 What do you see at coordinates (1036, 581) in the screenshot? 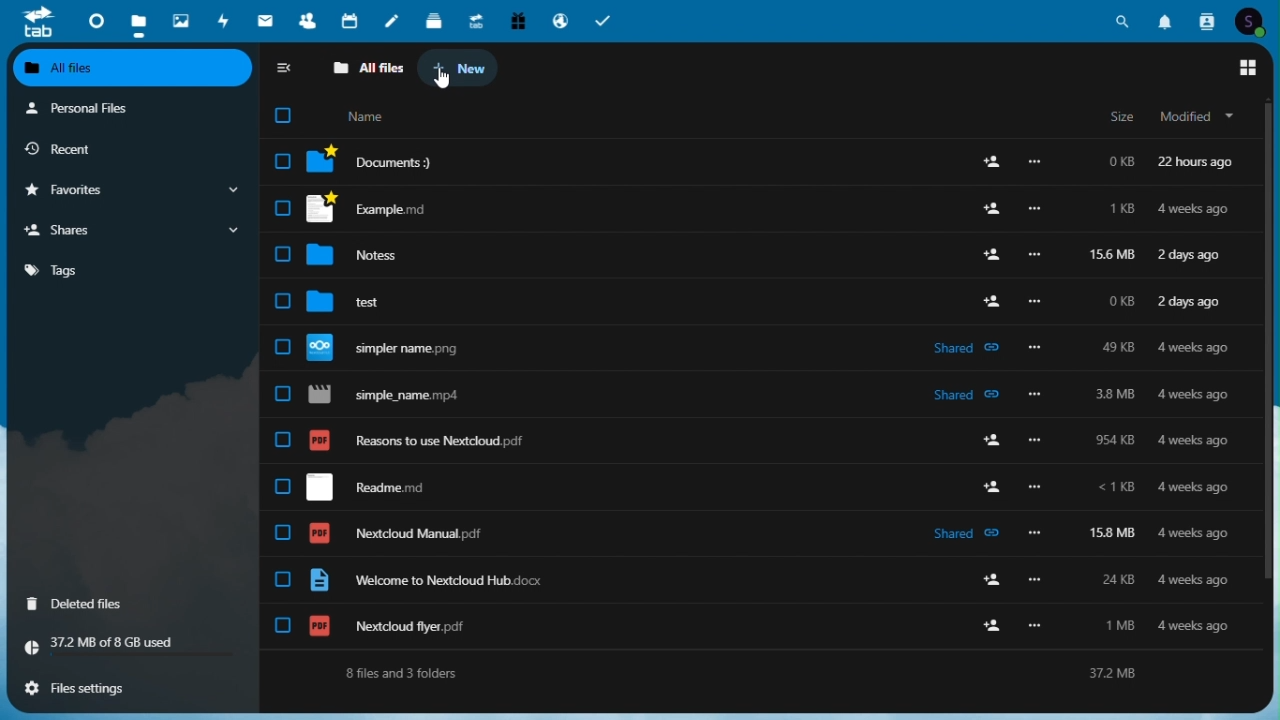
I see `more options` at bounding box center [1036, 581].